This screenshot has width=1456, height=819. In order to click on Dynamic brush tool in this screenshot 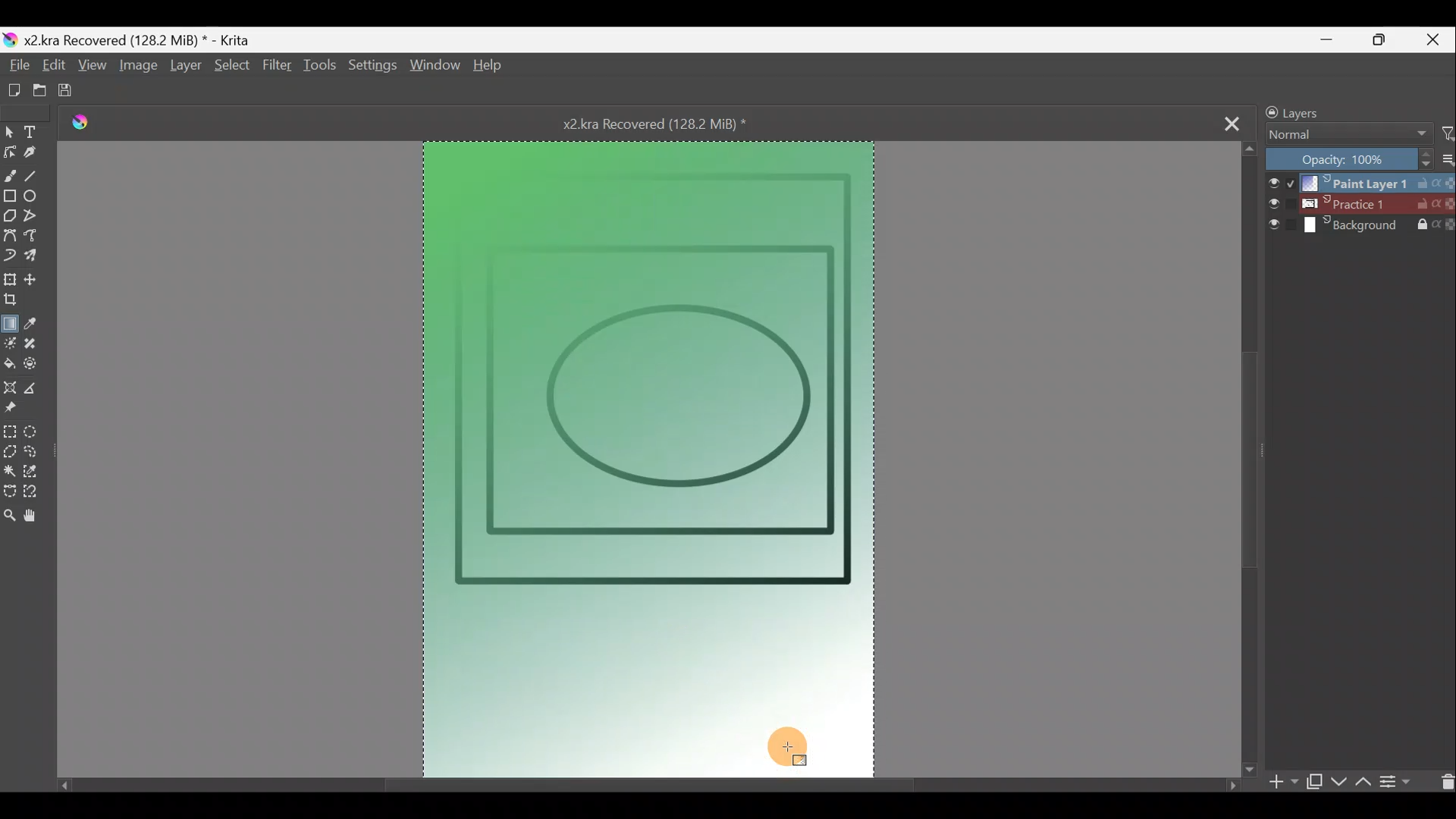, I will do `click(11, 256)`.